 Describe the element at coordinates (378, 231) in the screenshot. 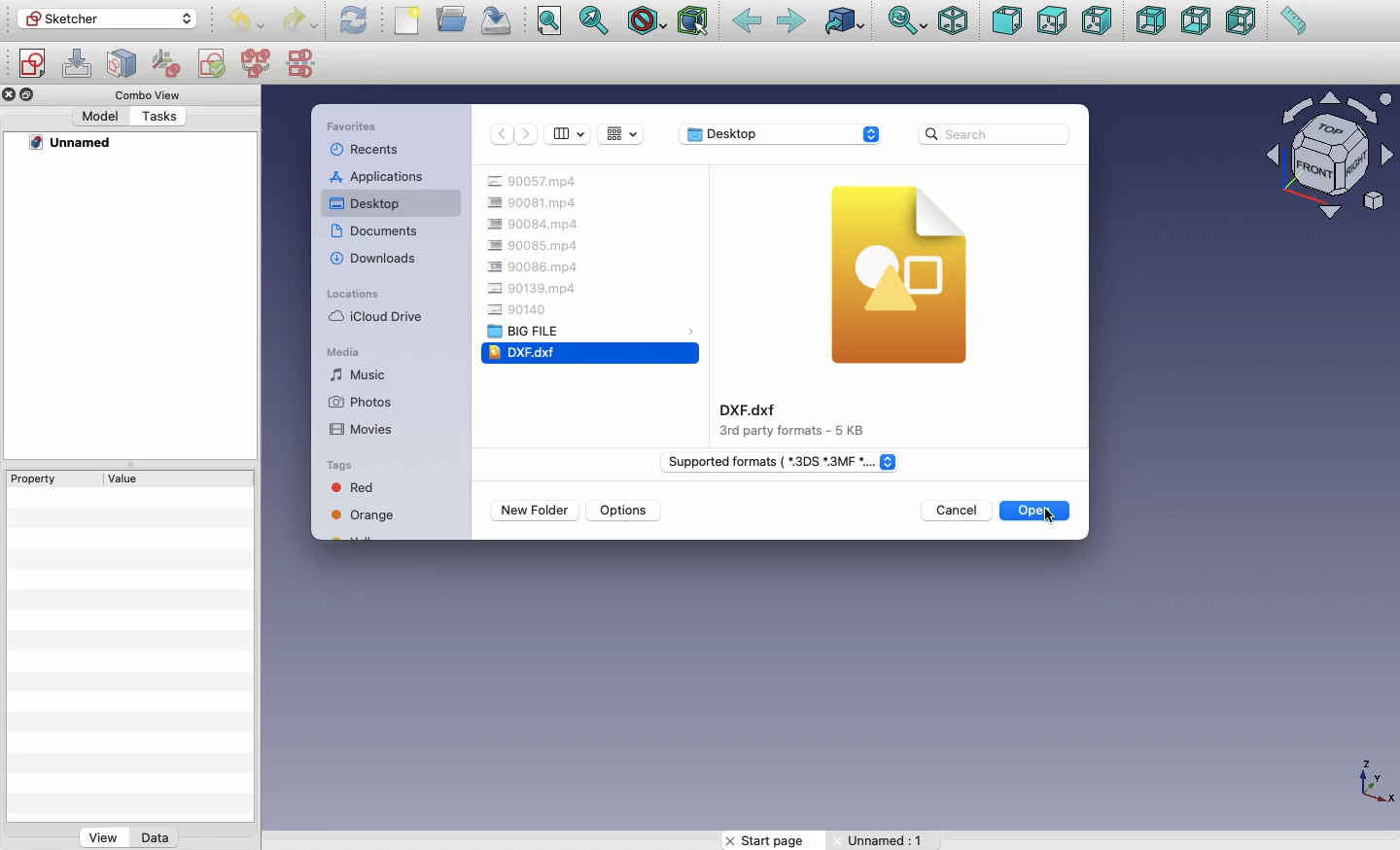

I see `Documents` at that location.